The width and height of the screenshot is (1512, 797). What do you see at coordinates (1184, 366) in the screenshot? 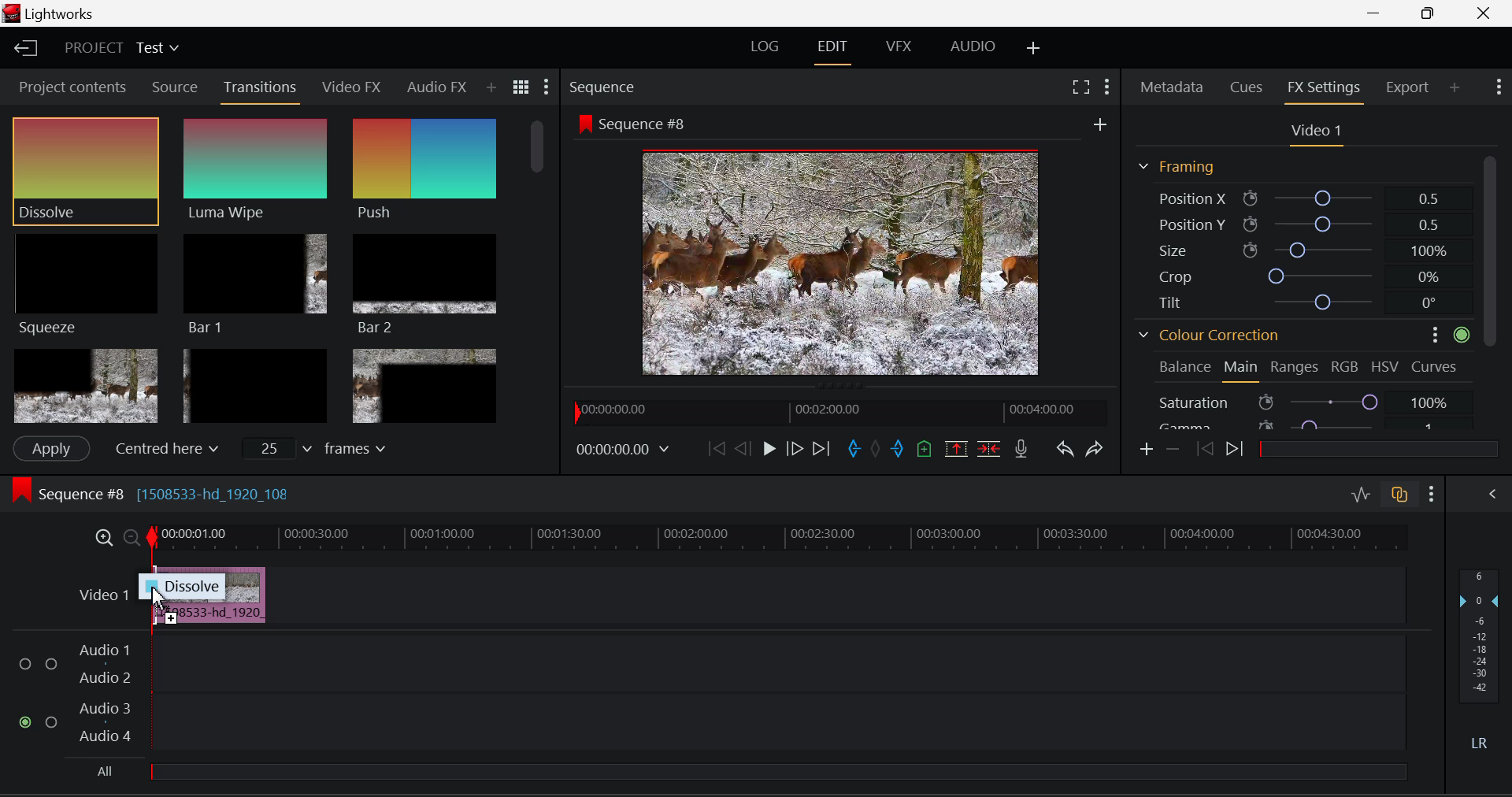
I see `Balance` at bounding box center [1184, 366].